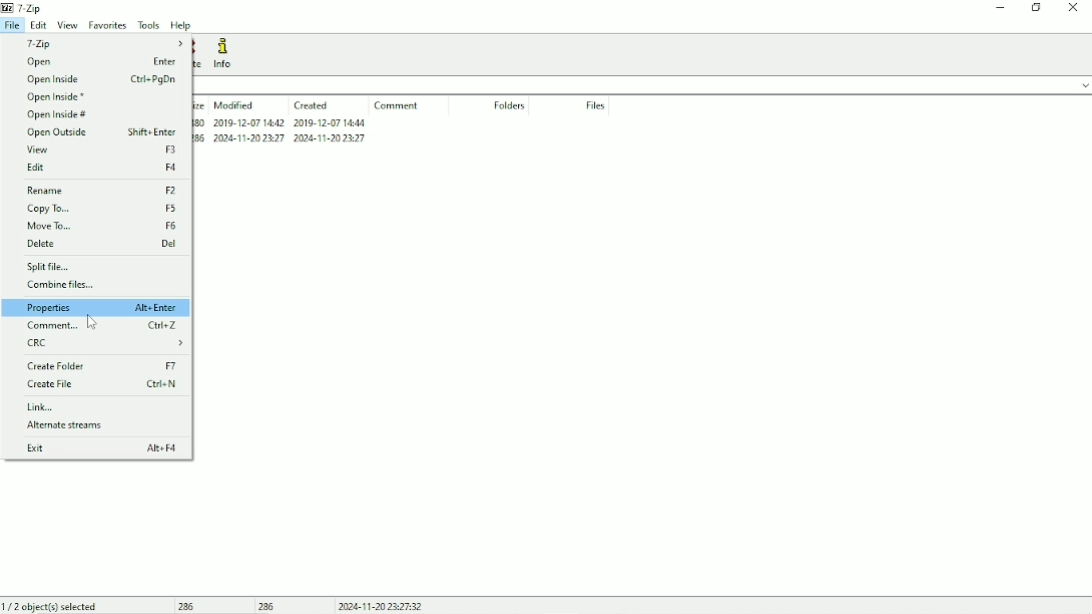 This screenshot has height=614, width=1092. Describe the element at coordinates (102, 43) in the screenshot. I see `7-Zip` at that location.